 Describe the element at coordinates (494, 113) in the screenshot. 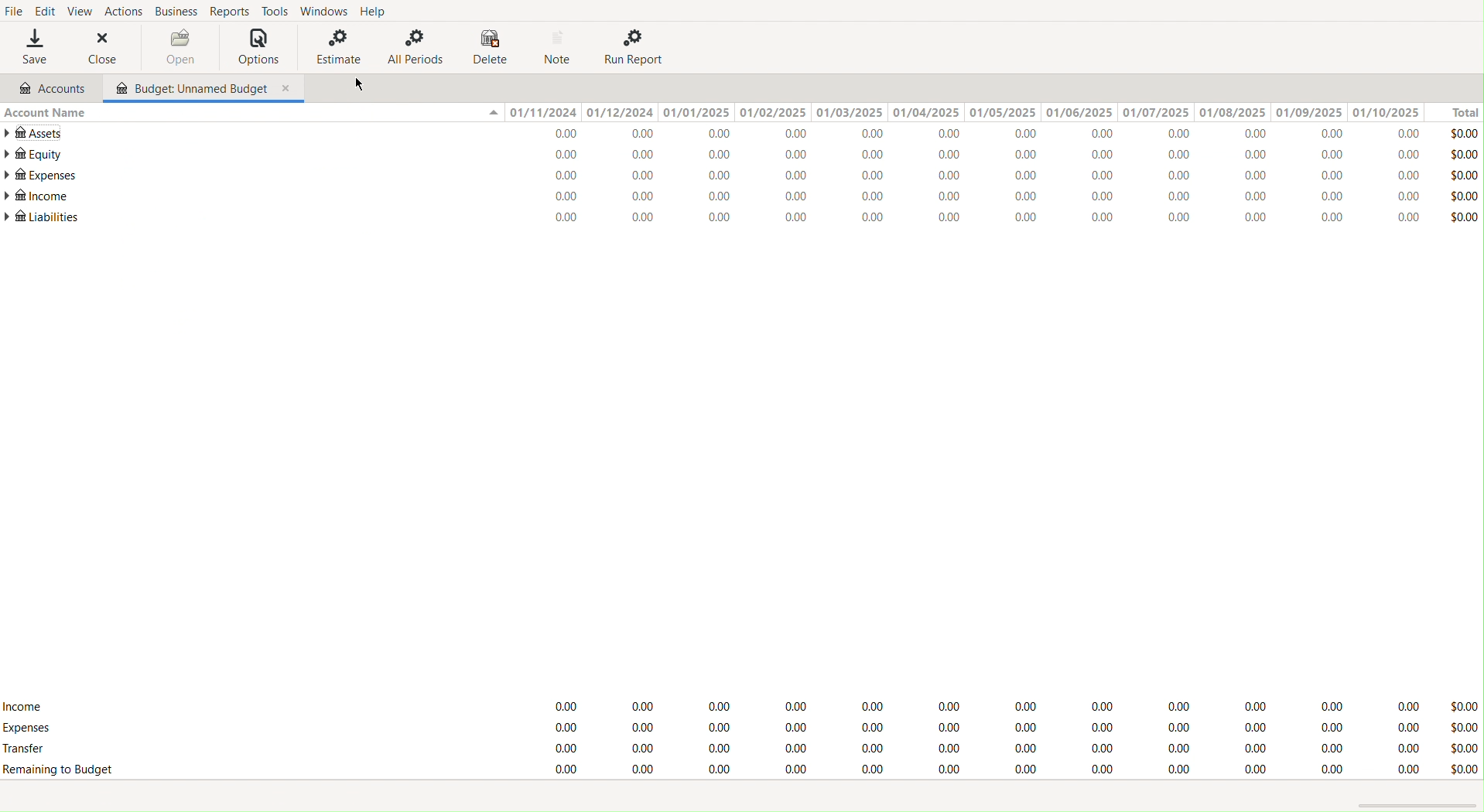

I see `expand or collapse` at that location.